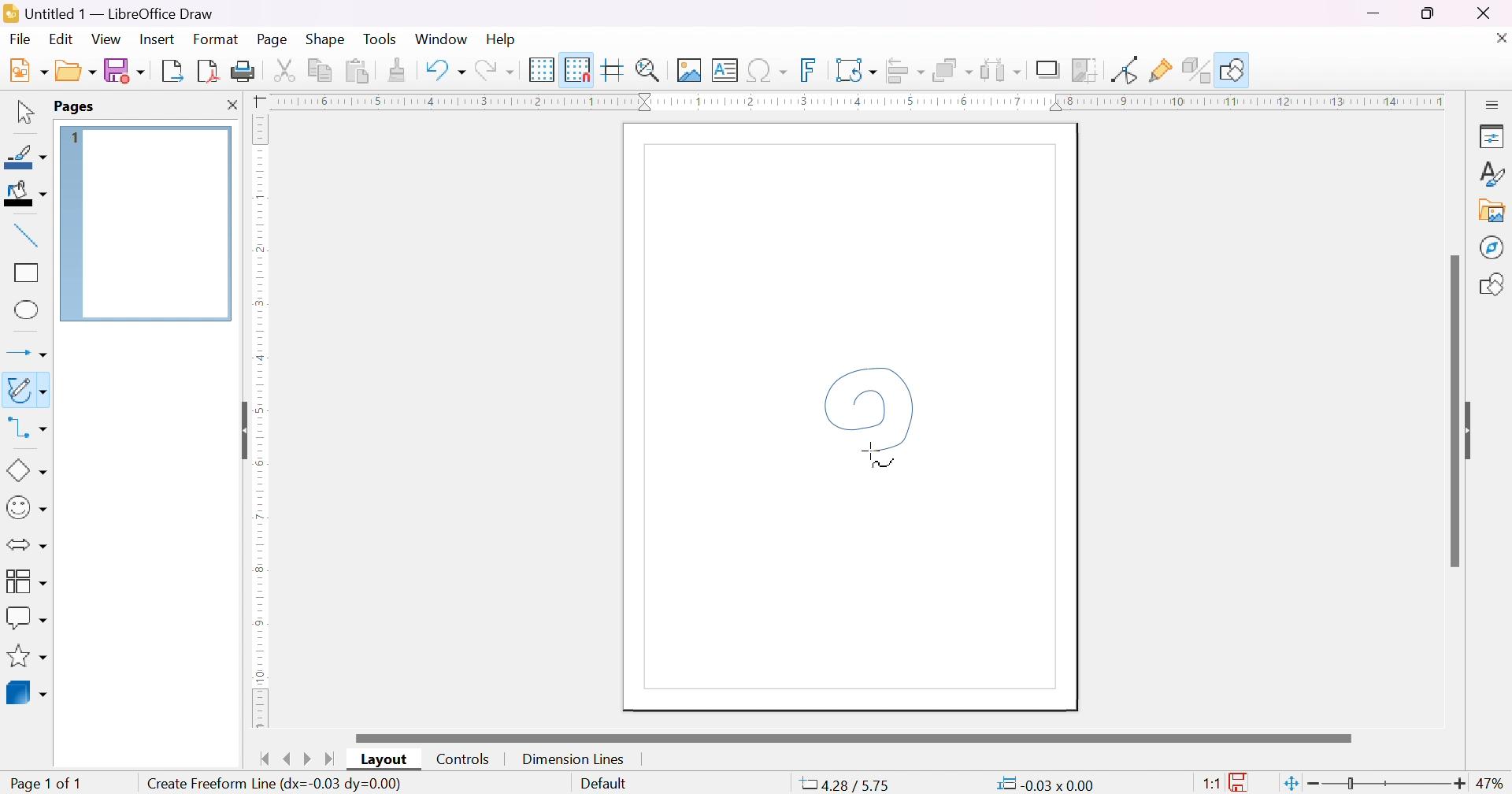  Describe the element at coordinates (78, 70) in the screenshot. I see `open` at that location.